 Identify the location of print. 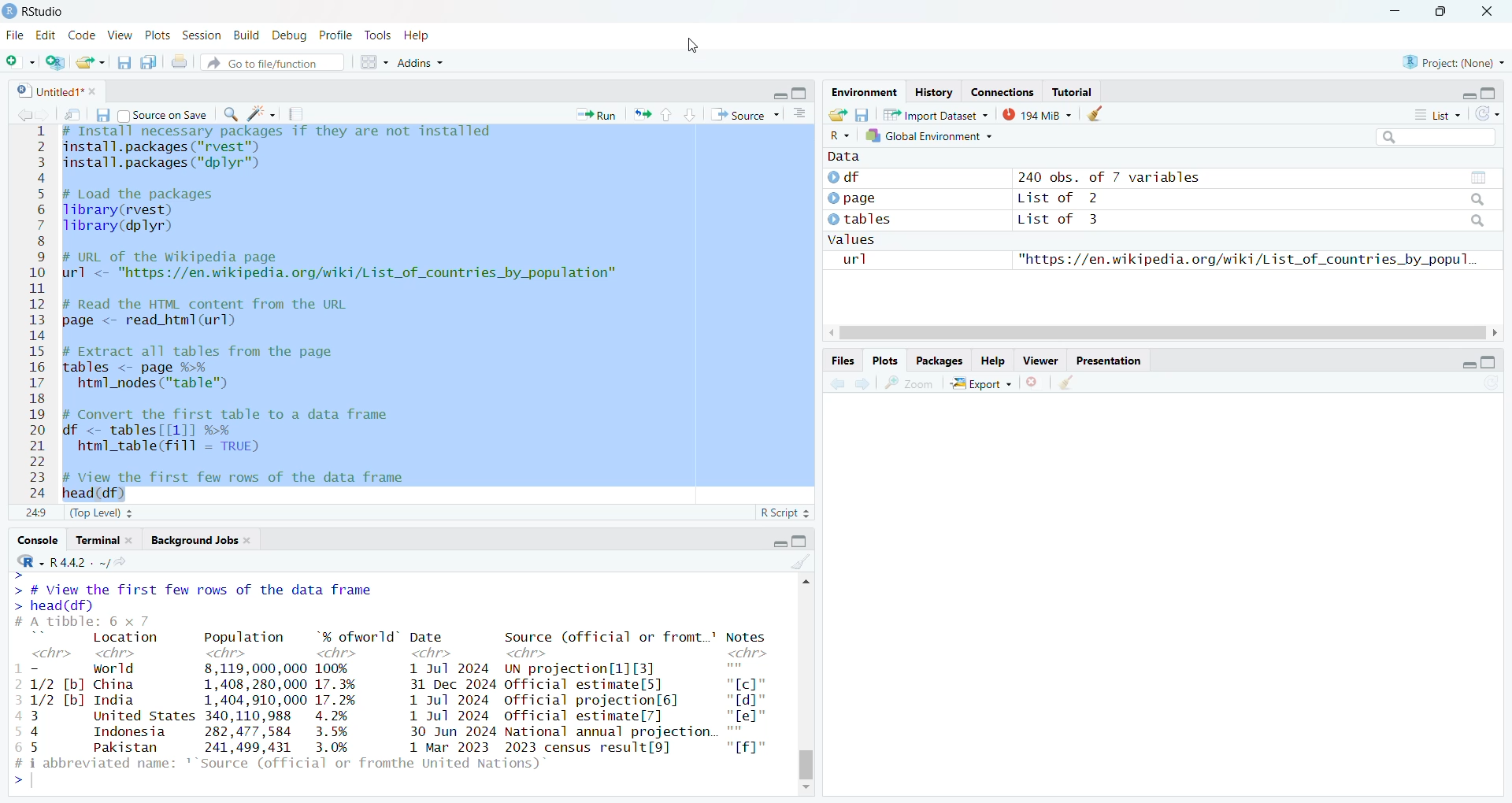
(179, 61).